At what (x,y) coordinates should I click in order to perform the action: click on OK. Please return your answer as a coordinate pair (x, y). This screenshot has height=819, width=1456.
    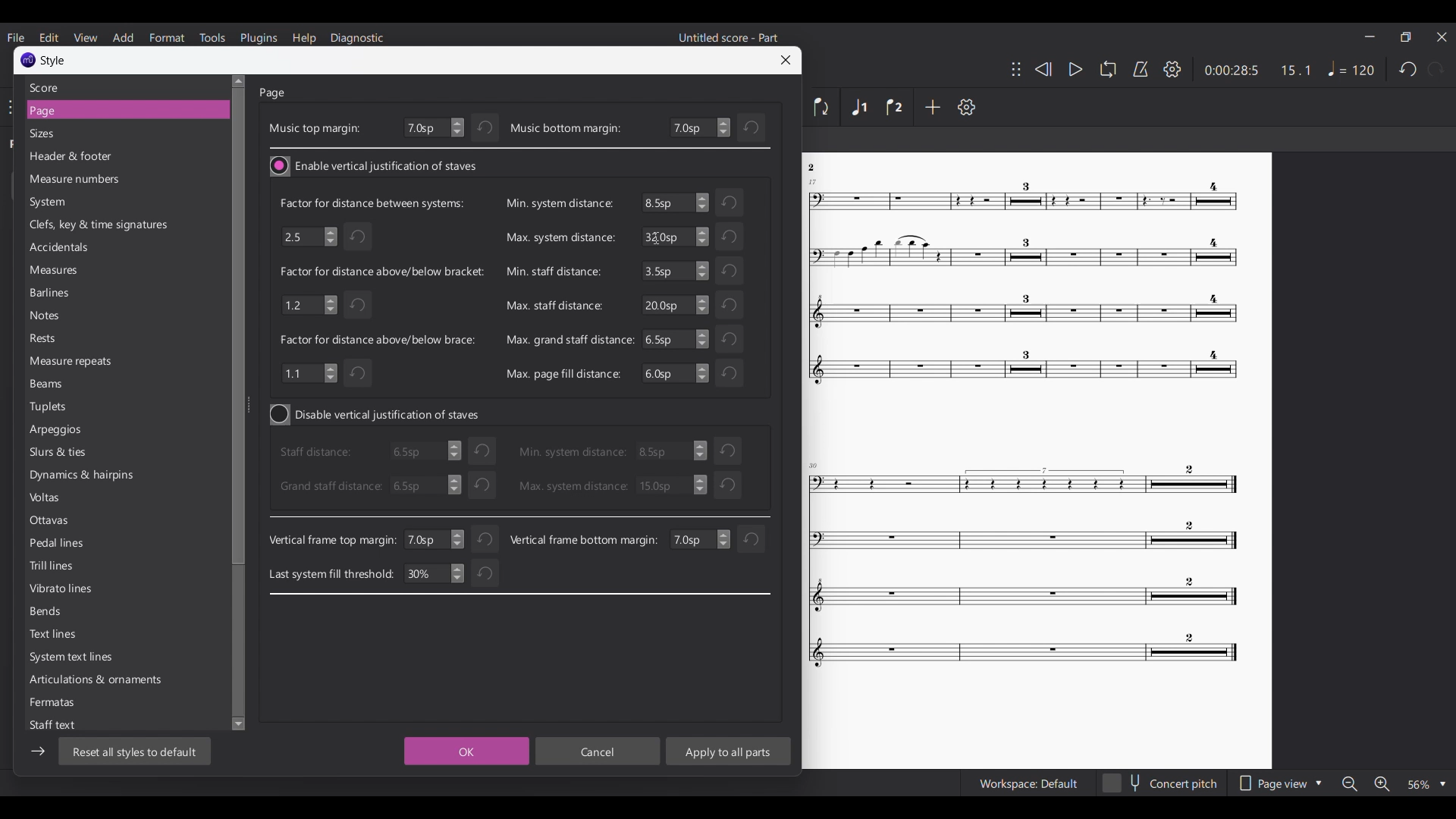
    Looking at the image, I should click on (463, 752).